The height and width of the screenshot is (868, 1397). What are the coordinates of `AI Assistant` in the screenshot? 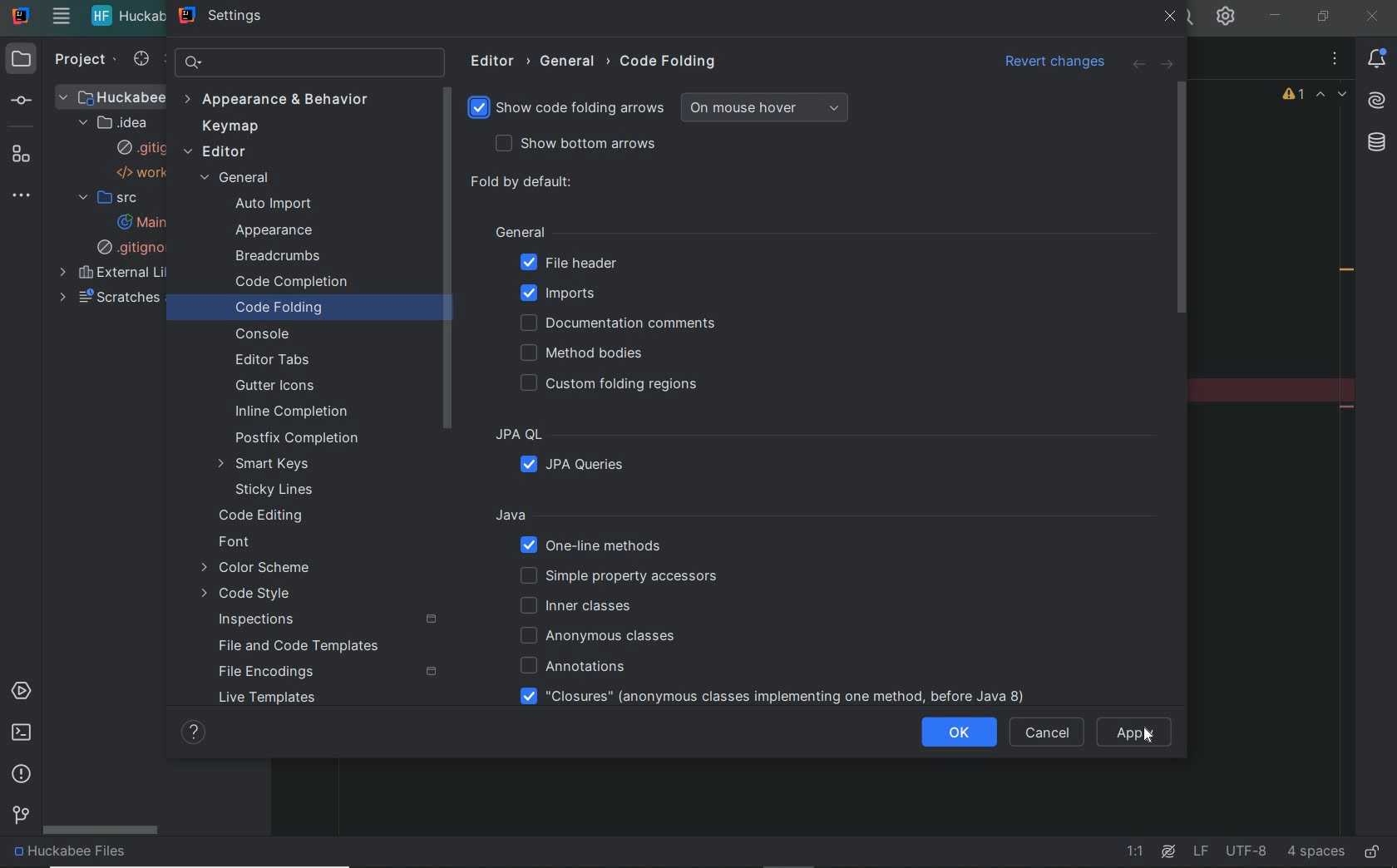 It's located at (1168, 851).